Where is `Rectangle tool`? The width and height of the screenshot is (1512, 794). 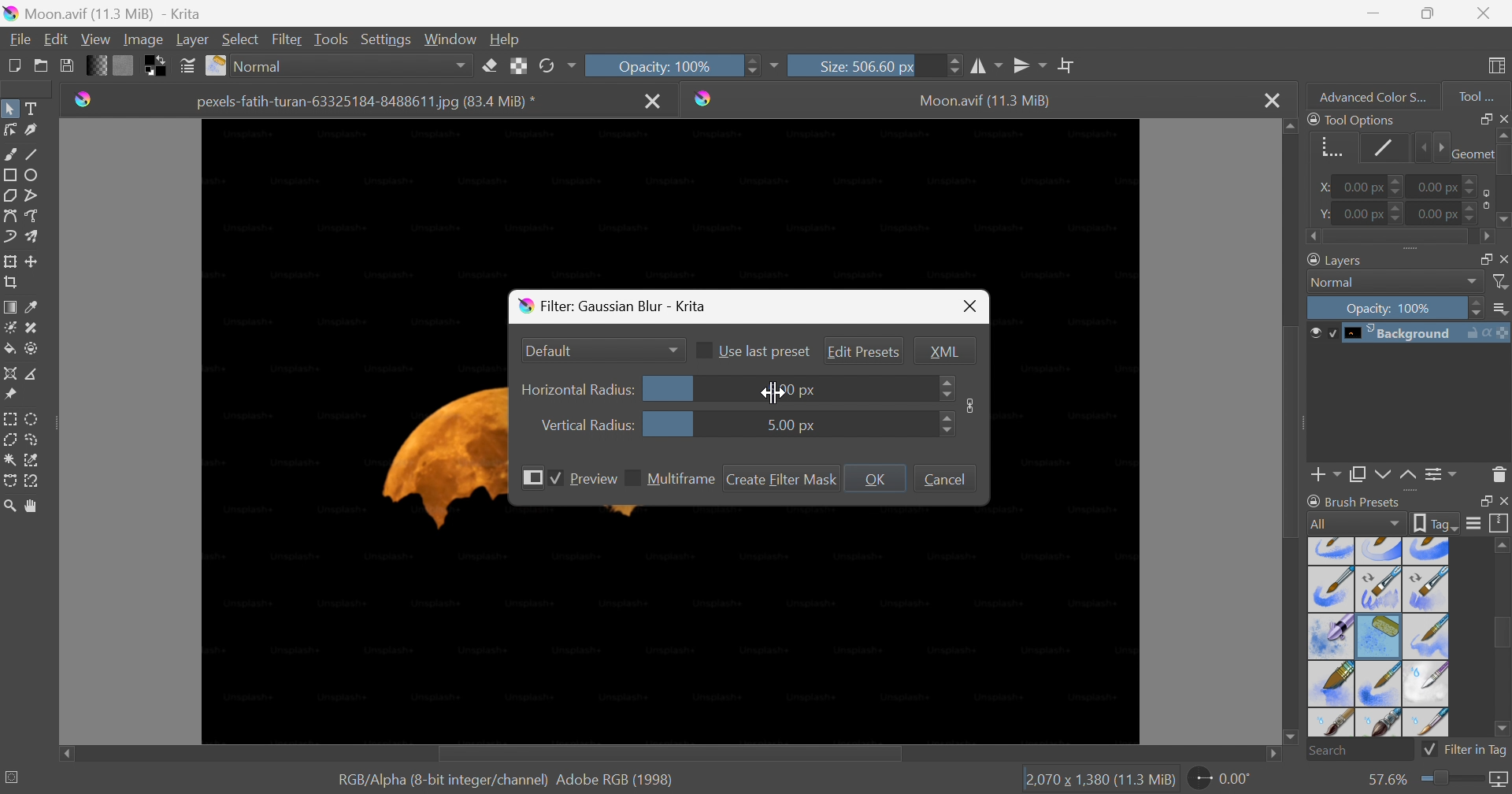 Rectangle tool is located at coordinates (9, 175).